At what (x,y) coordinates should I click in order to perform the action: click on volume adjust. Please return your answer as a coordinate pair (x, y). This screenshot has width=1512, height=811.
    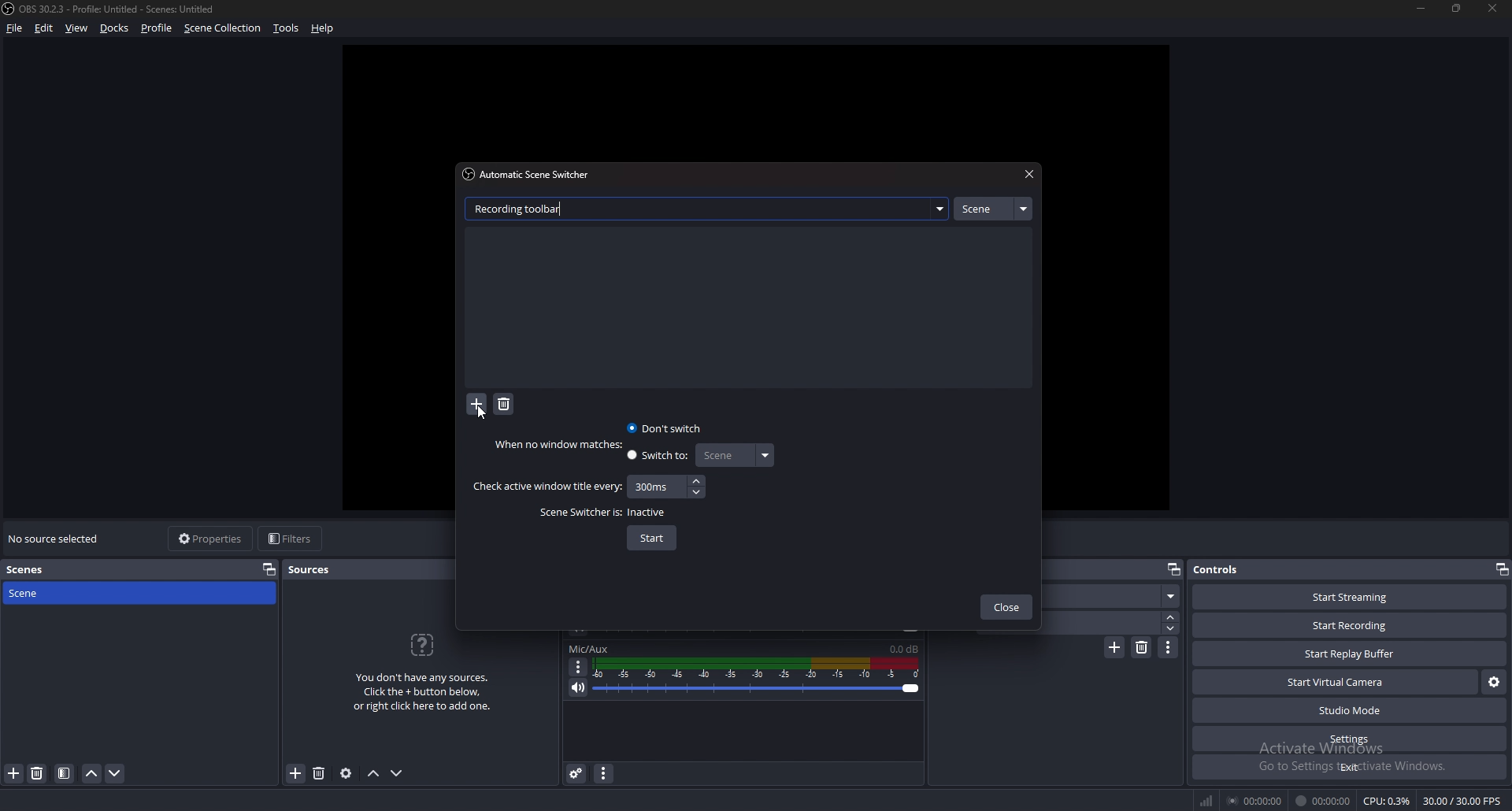
    Looking at the image, I should click on (756, 678).